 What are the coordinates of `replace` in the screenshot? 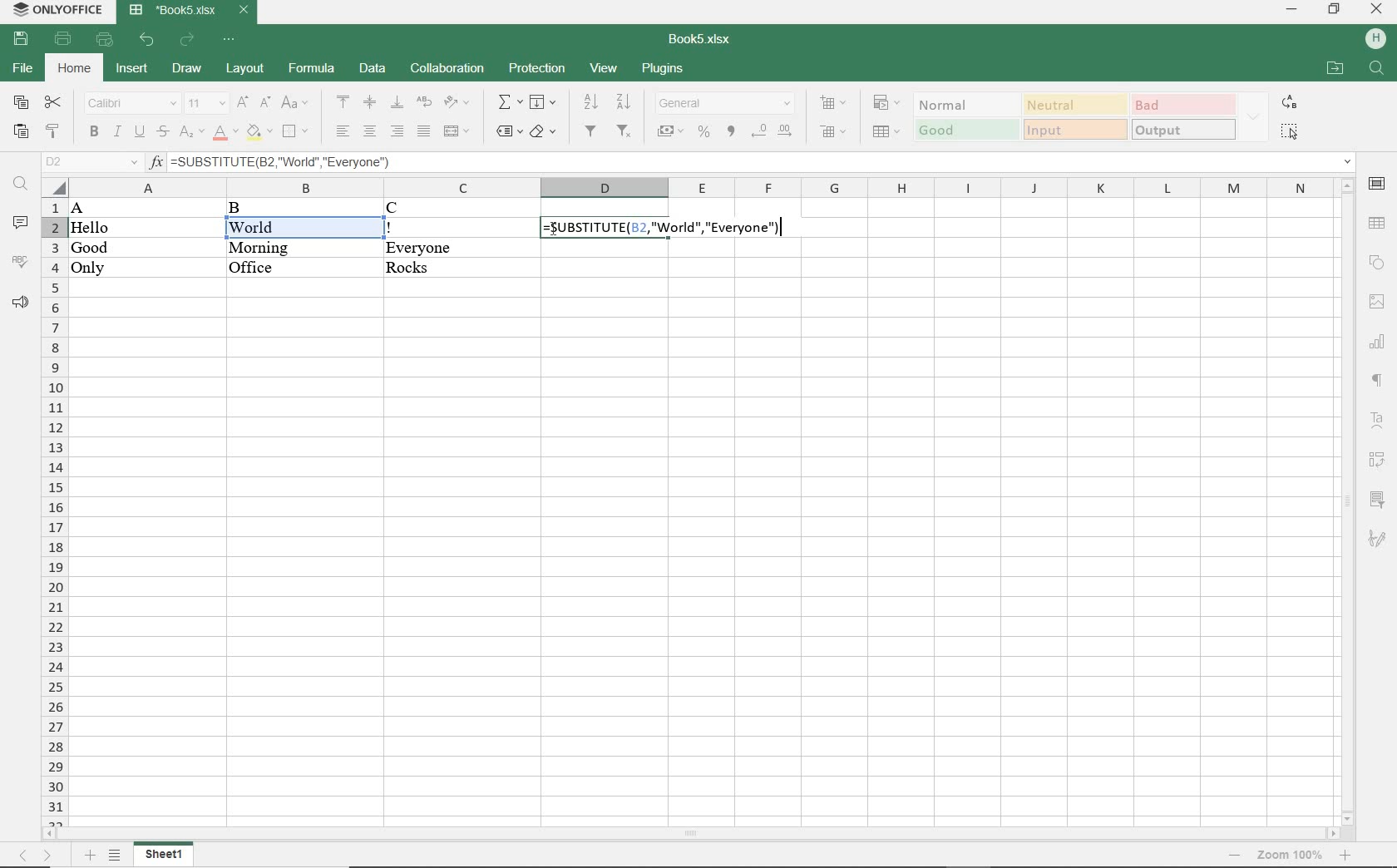 It's located at (1291, 103).